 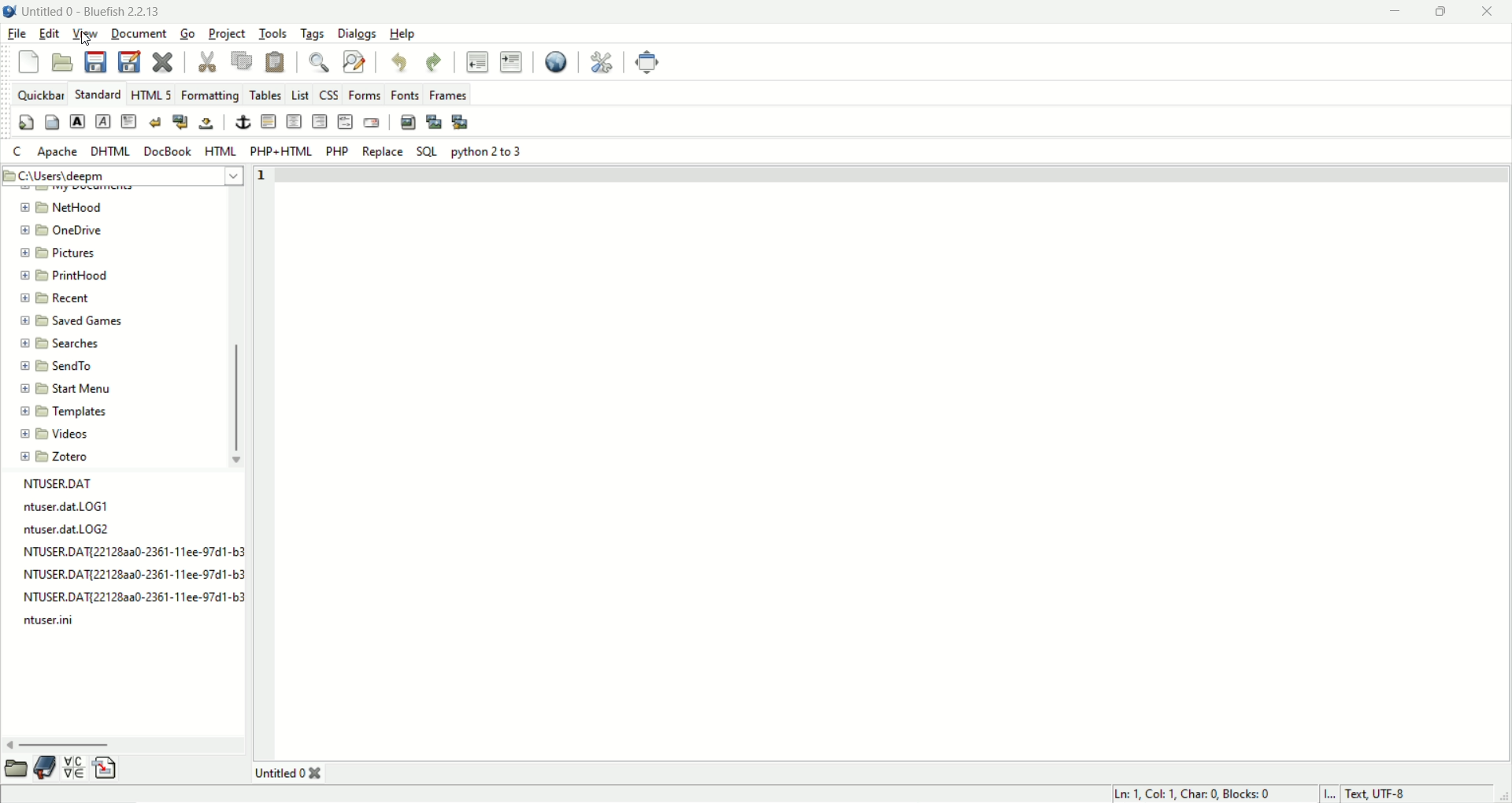 I want to click on go, so click(x=187, y=35).